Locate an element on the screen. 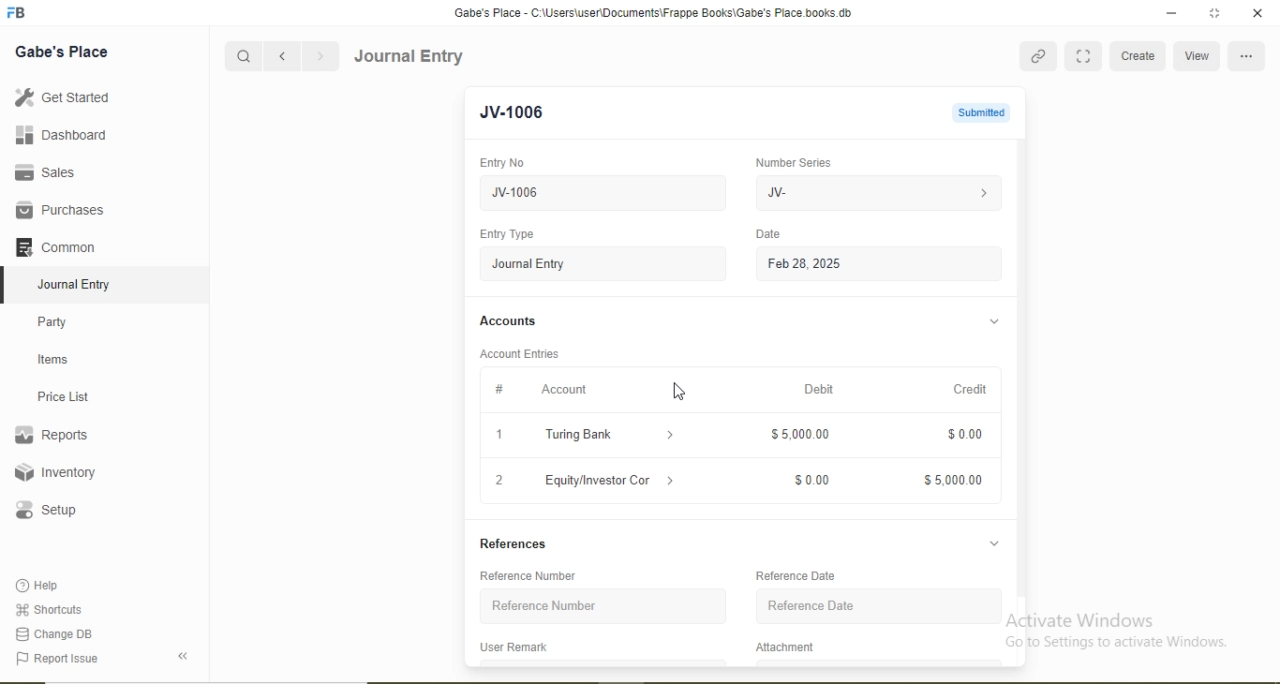 The width and height of the screenshot is (1280, 684). Gabe's Place is located at coordinates (62, 52).